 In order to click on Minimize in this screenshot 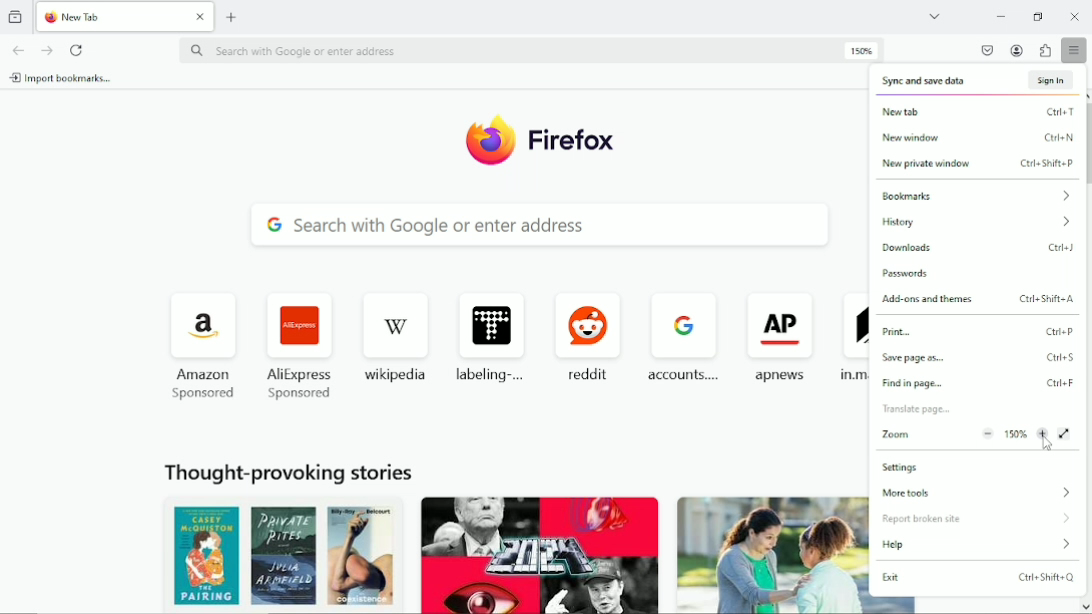, I will do `click(1000, 16)`.